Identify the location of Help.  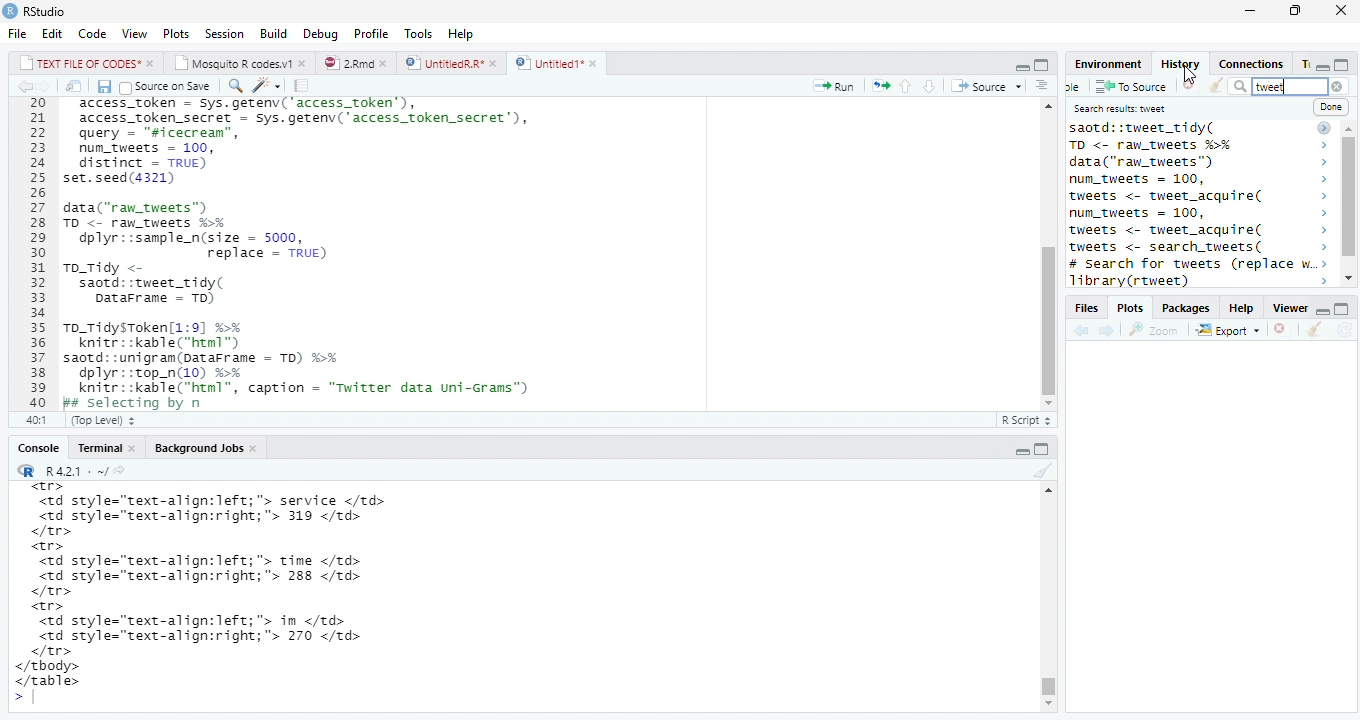
(1239, 309).